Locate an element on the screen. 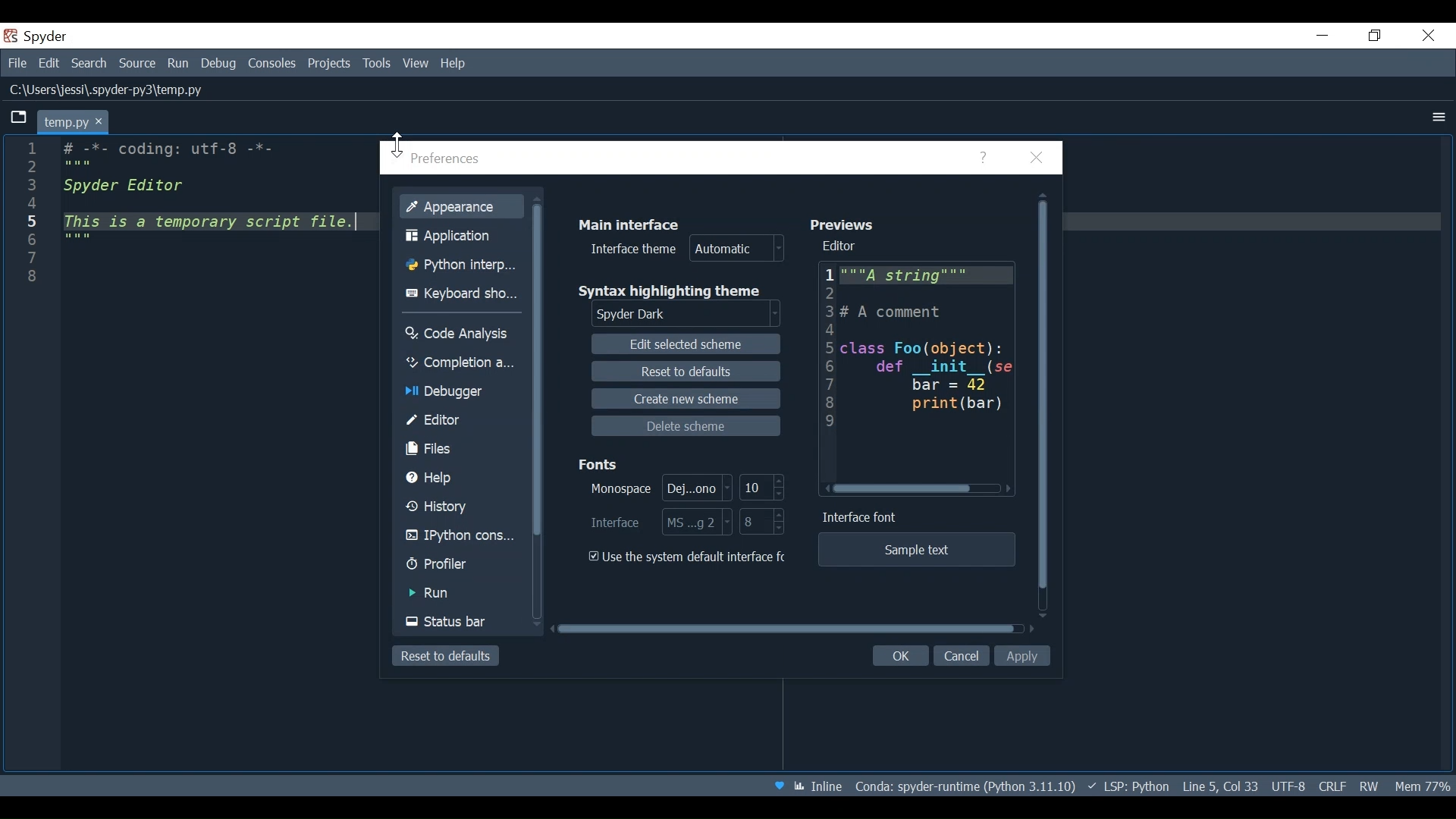  Horizontal scroll bar is located at coordinates (786, 629).